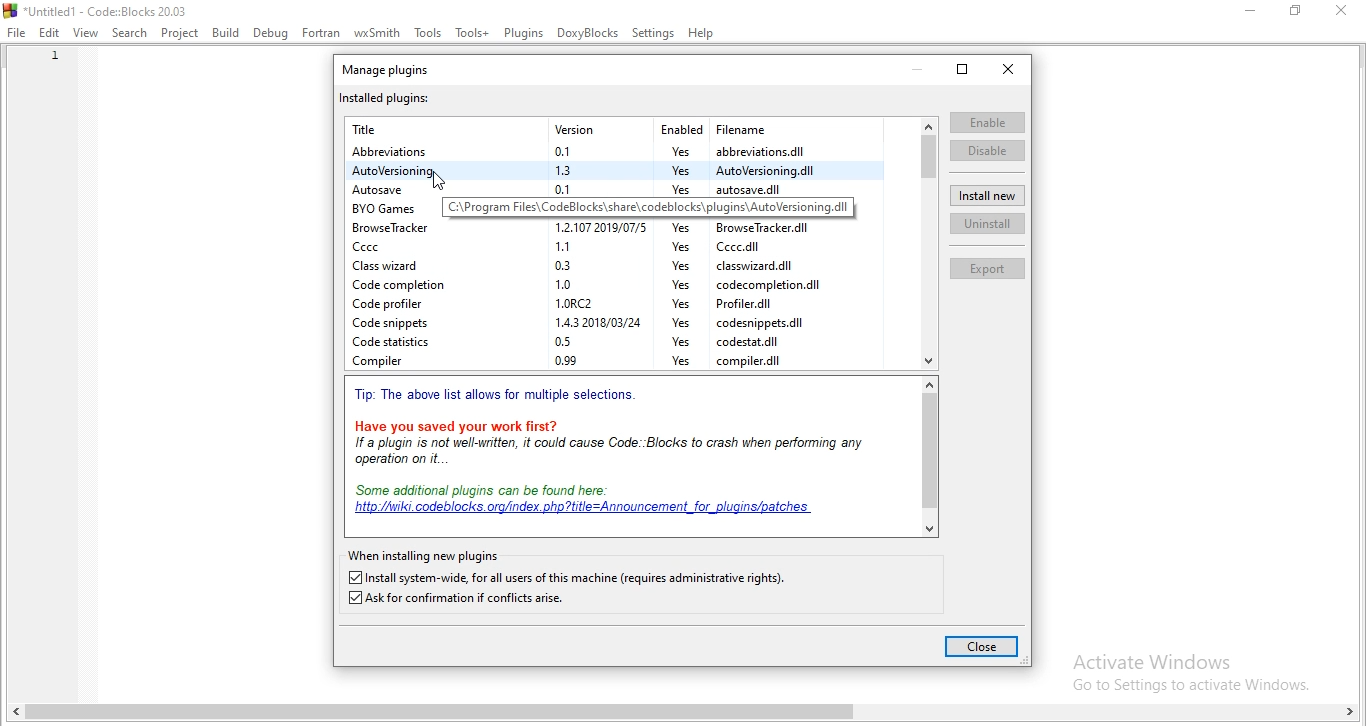  Describe the element at coordinates (575, 265) in the screenshot. I see `Class wizard 03 Yes classwizard dll` at that location.